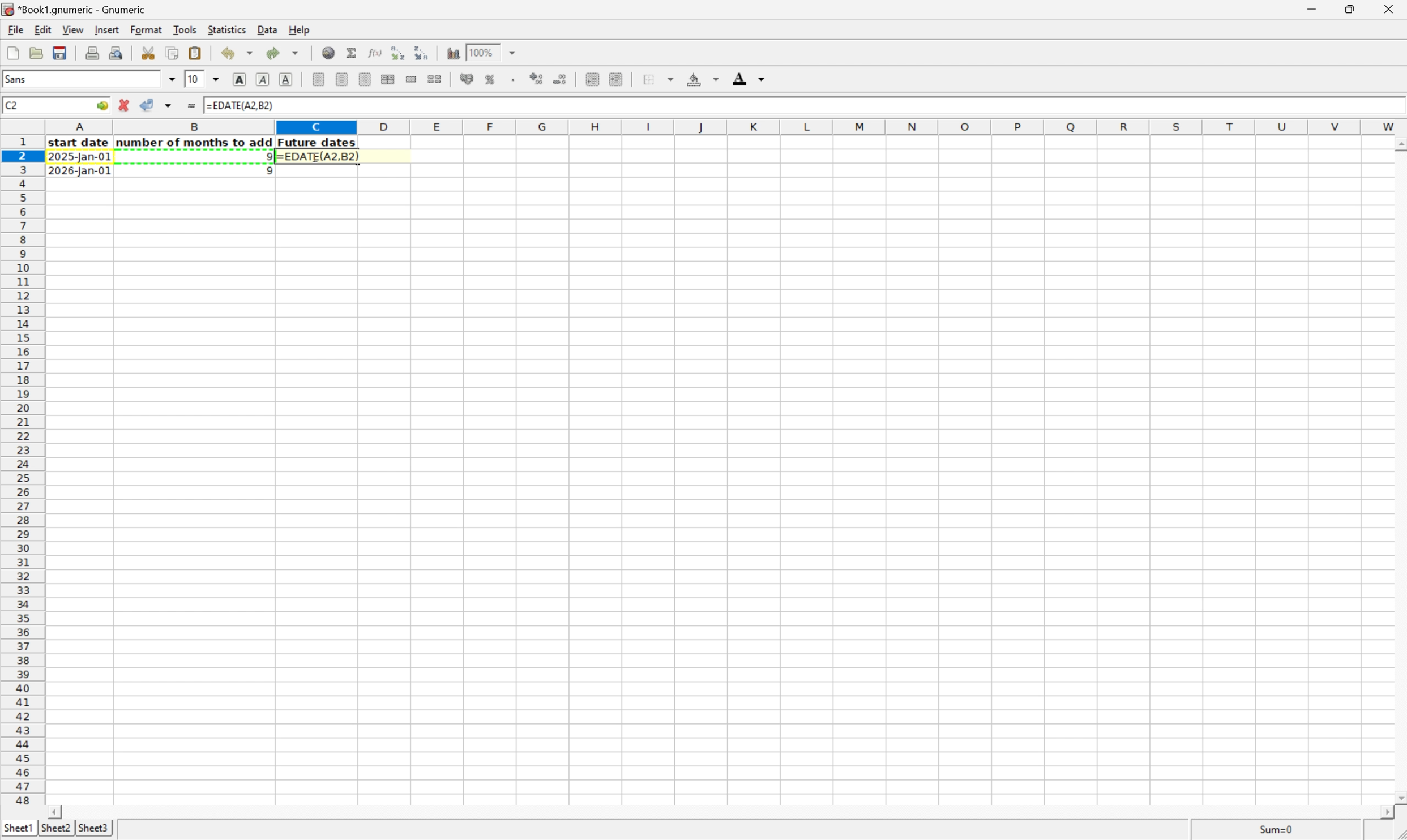 The image size is (1407, 840). Describe the element at coordinates (265, 156) in the screenshot. I see `9` at that location.